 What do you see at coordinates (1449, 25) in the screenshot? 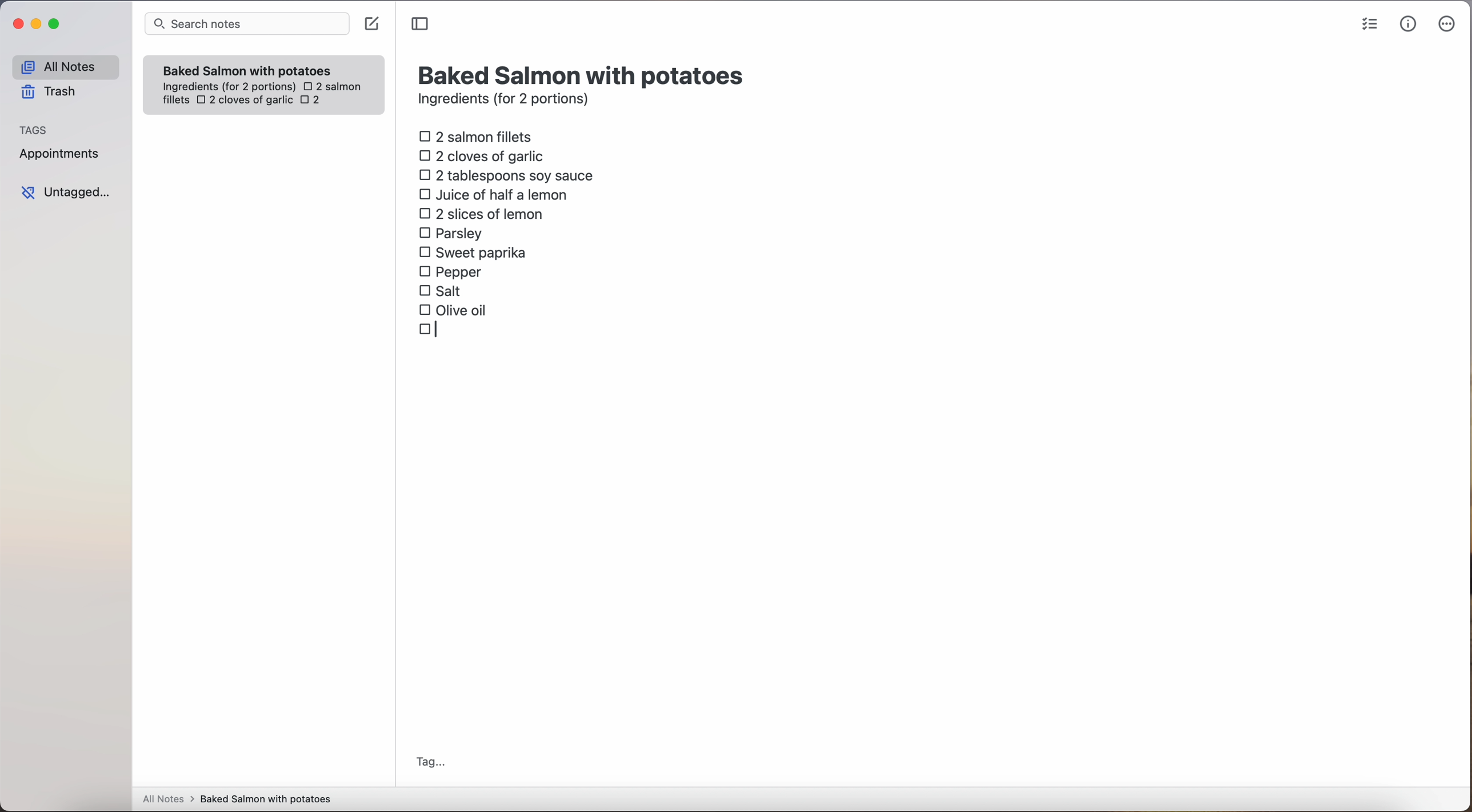
I see `more options` at bounding box center [1449, 25].